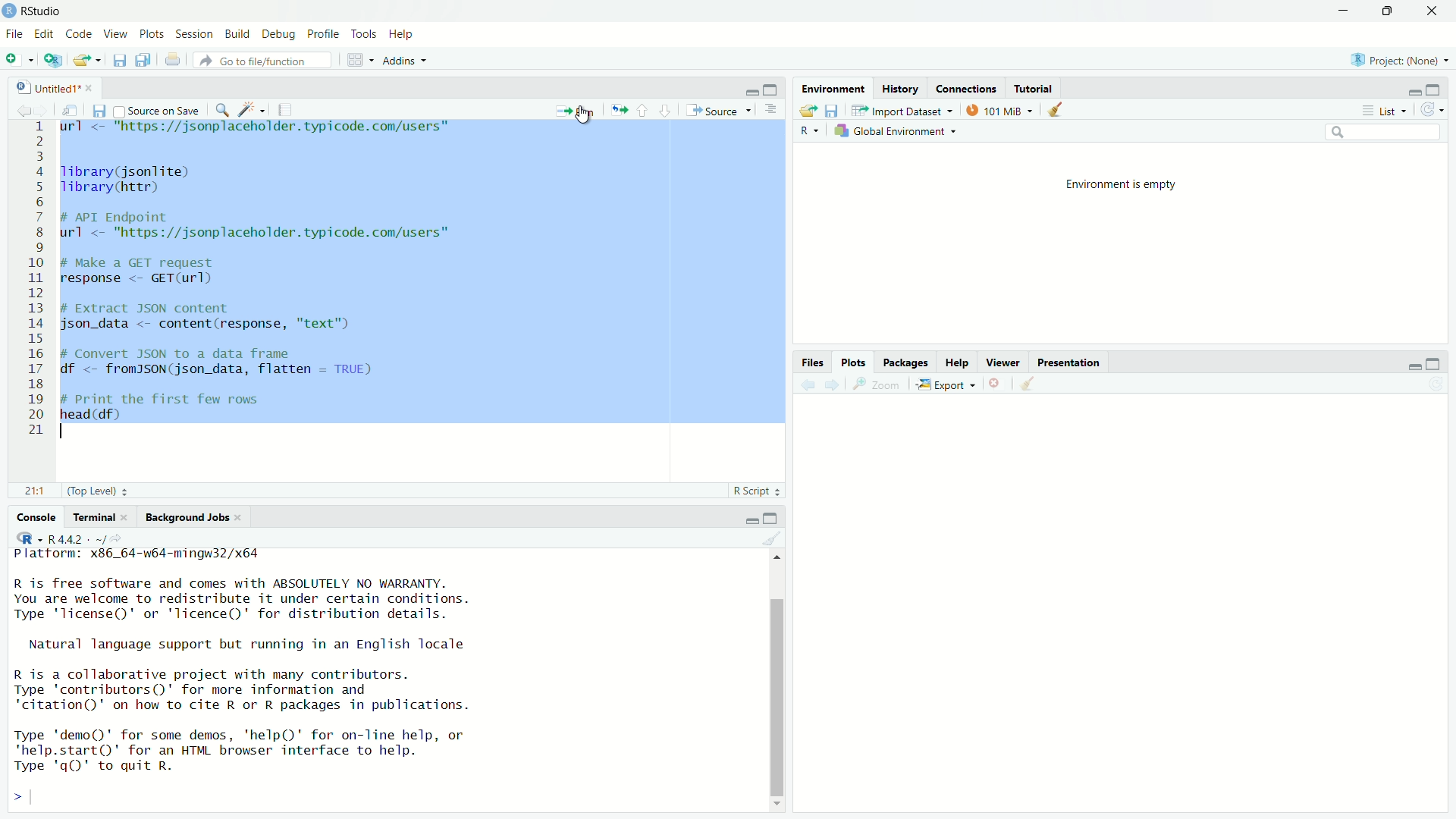  What do you see at coordinates (162, 411) in the screenshot?
I see `# Print the first few rows
head (df)` at bounding box center [162, 411].